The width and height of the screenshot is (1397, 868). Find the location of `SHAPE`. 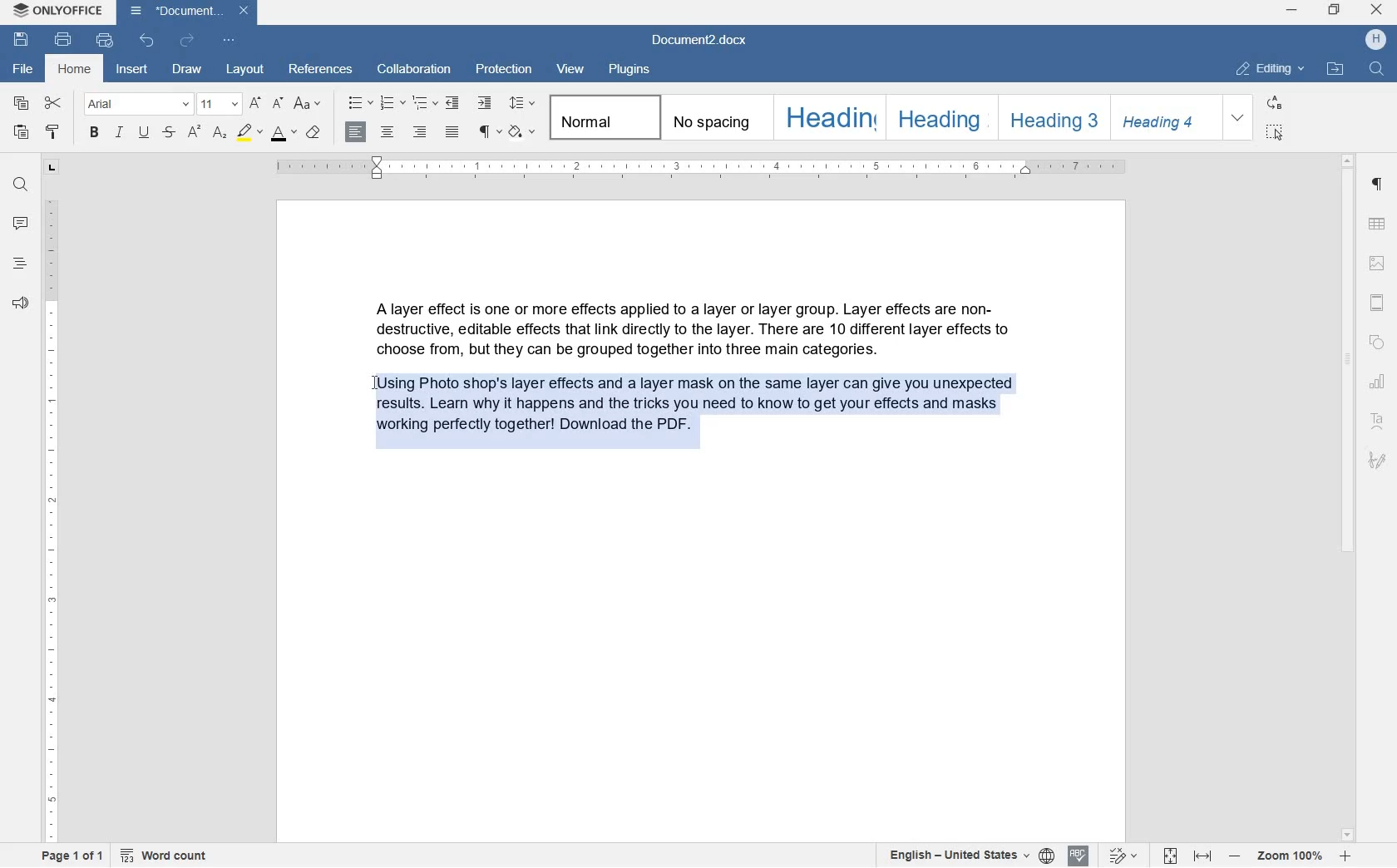

SHAPE is located at coordinates (1378, 344).